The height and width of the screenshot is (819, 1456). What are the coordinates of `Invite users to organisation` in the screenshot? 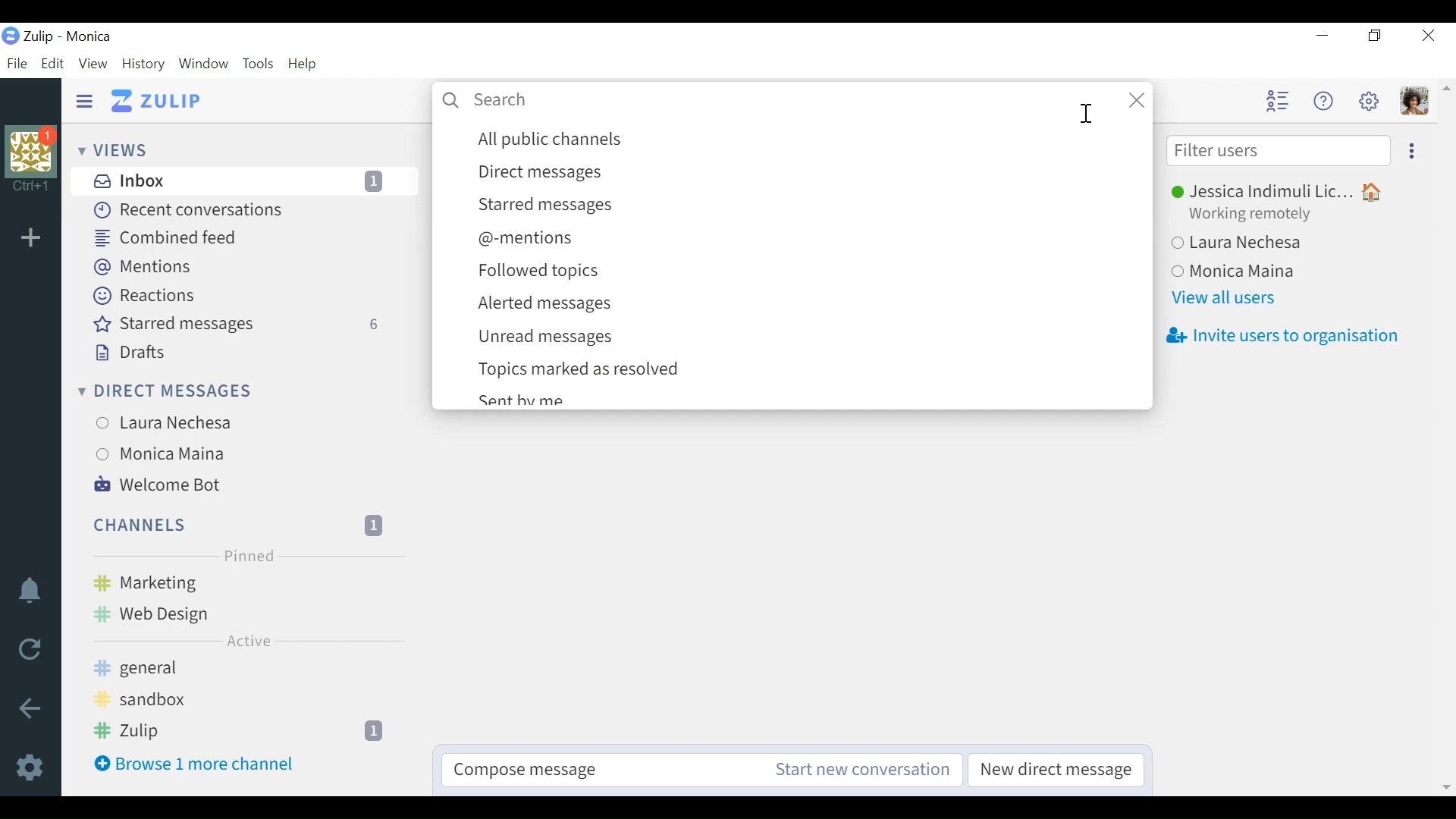 It's located at (1286, 334).